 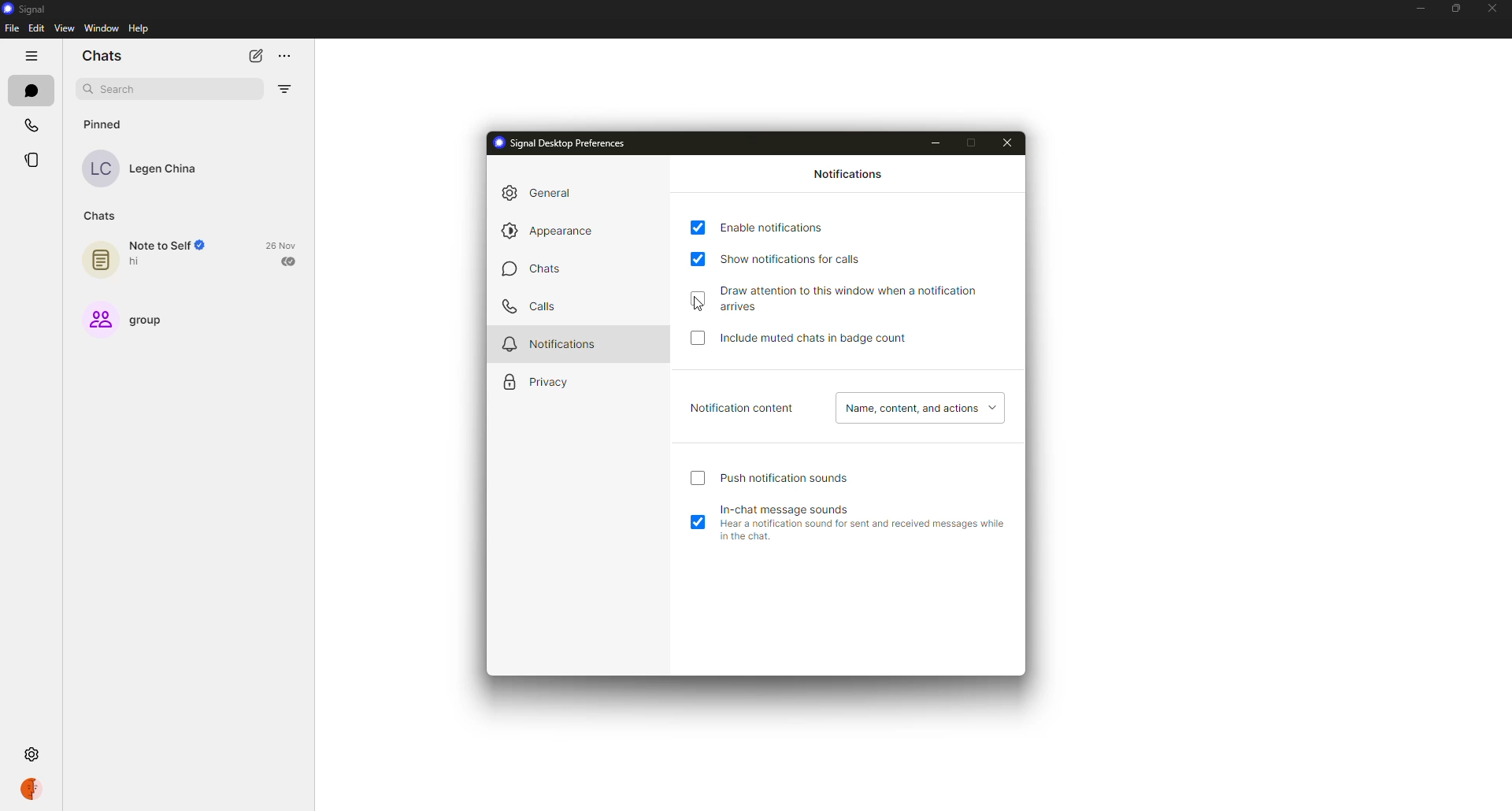 I want to click on maximize, so click(x=1451, y=9).